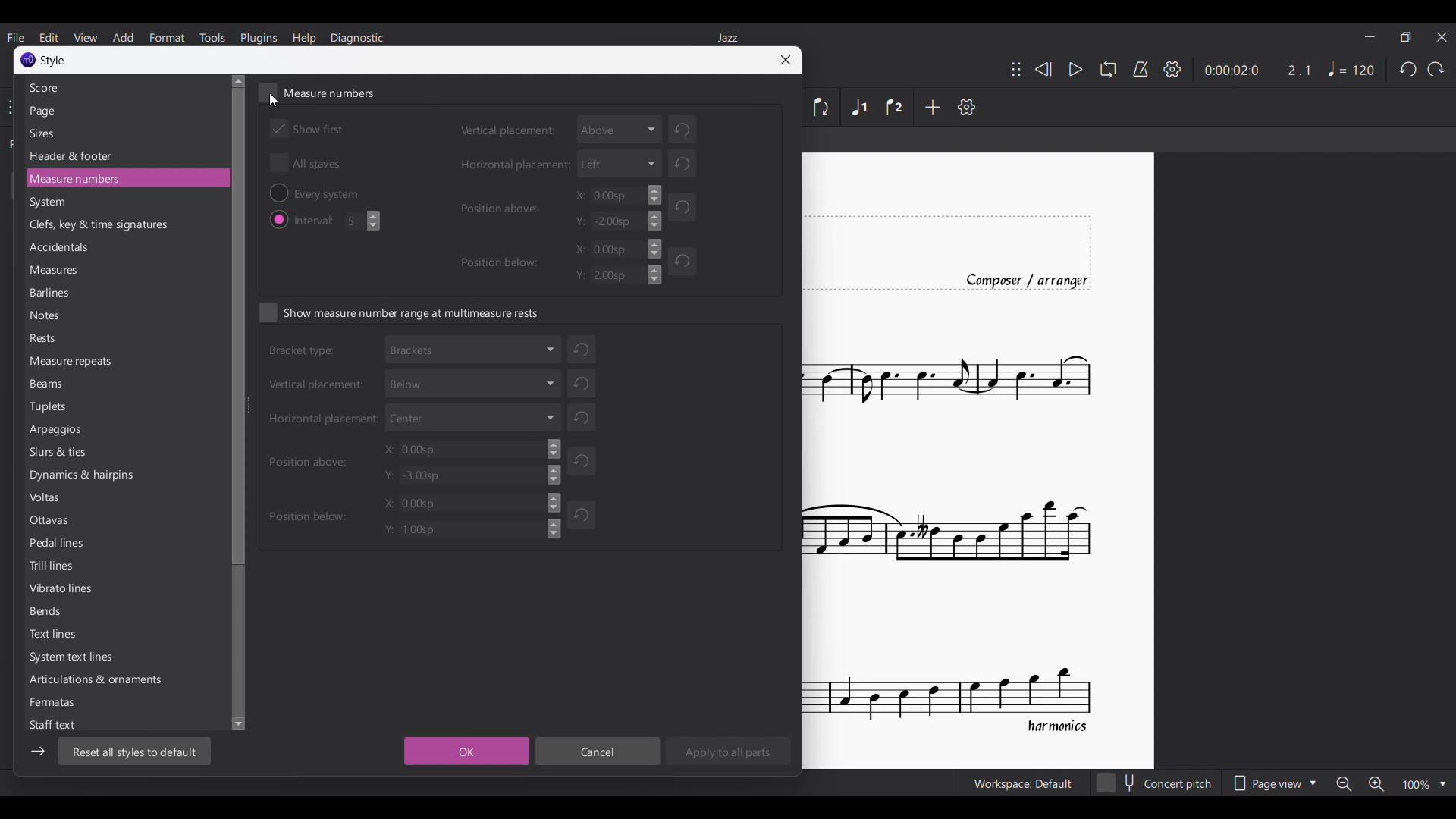  I want to click on Refresh, so click(686, 265).